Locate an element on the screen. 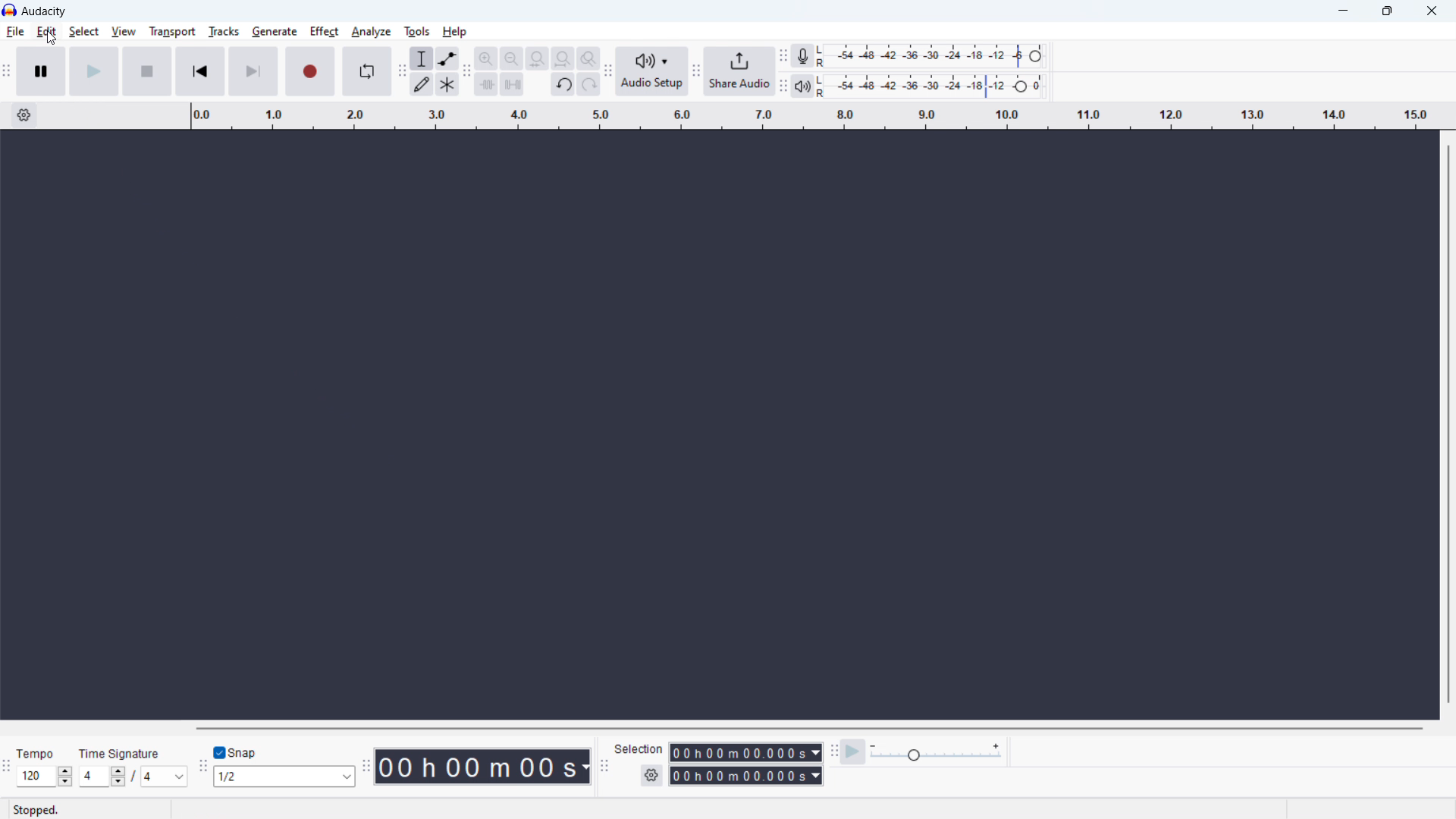 The height and width of the screenshot is (819, 1456). tools toolbar is located at coordinates (402, 71).